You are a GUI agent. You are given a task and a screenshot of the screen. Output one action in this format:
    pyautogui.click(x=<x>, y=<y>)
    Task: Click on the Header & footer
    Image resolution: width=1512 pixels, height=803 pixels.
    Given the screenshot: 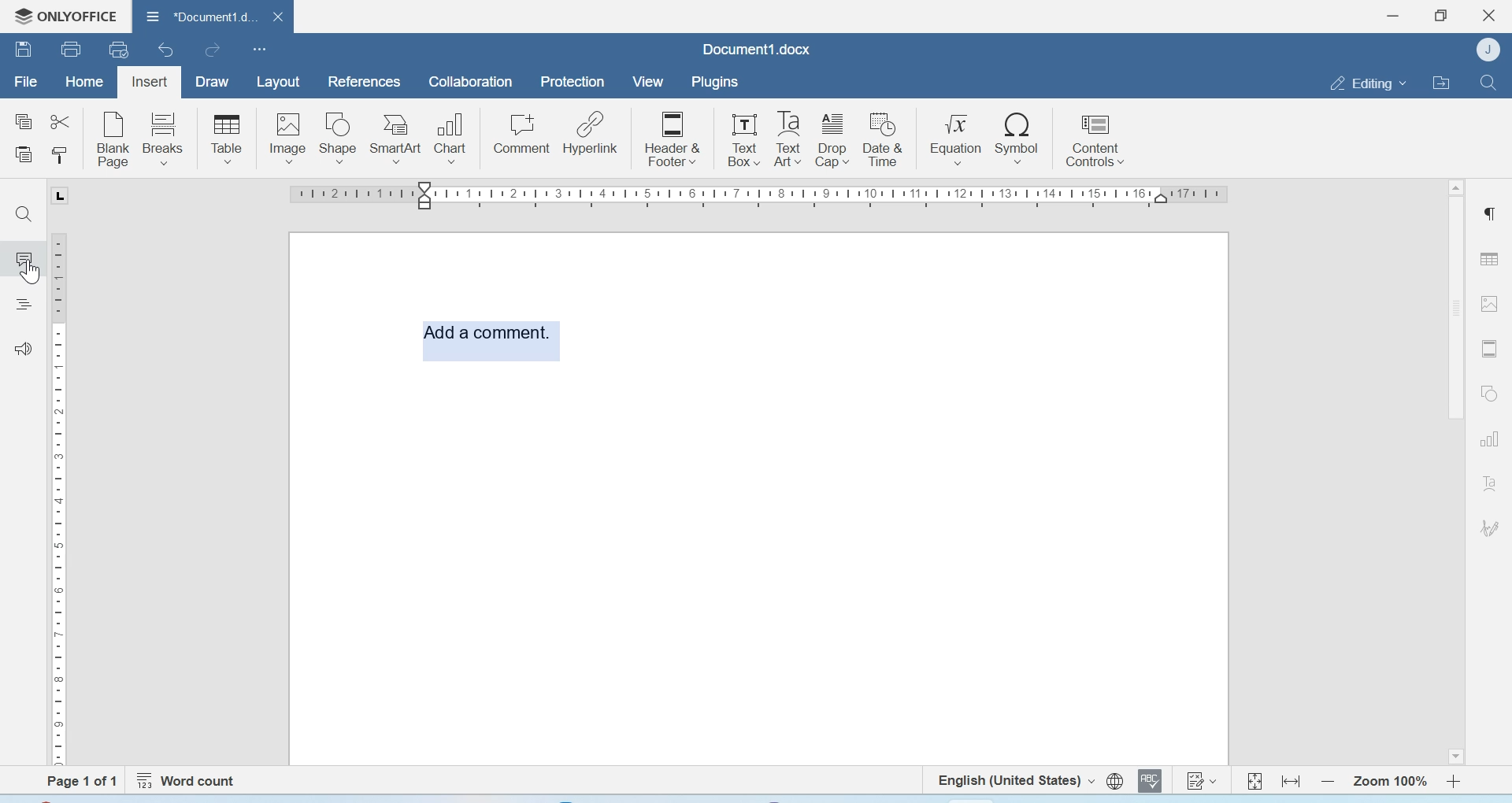 What is the action you would take?
    pyautogui.click(x=1490, y=349)
    